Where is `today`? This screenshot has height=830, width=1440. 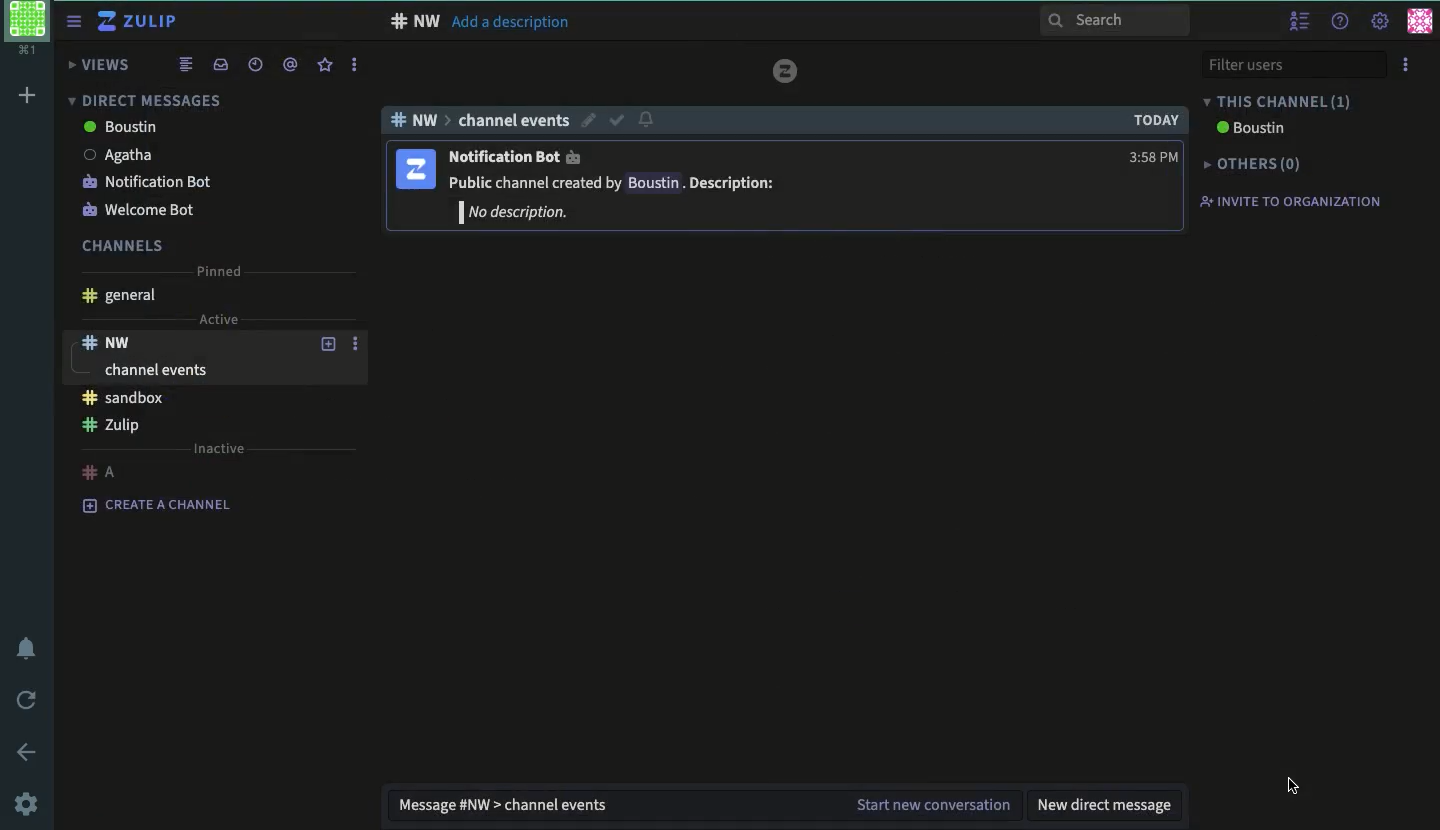
today is located at coordinates (1159, 120).